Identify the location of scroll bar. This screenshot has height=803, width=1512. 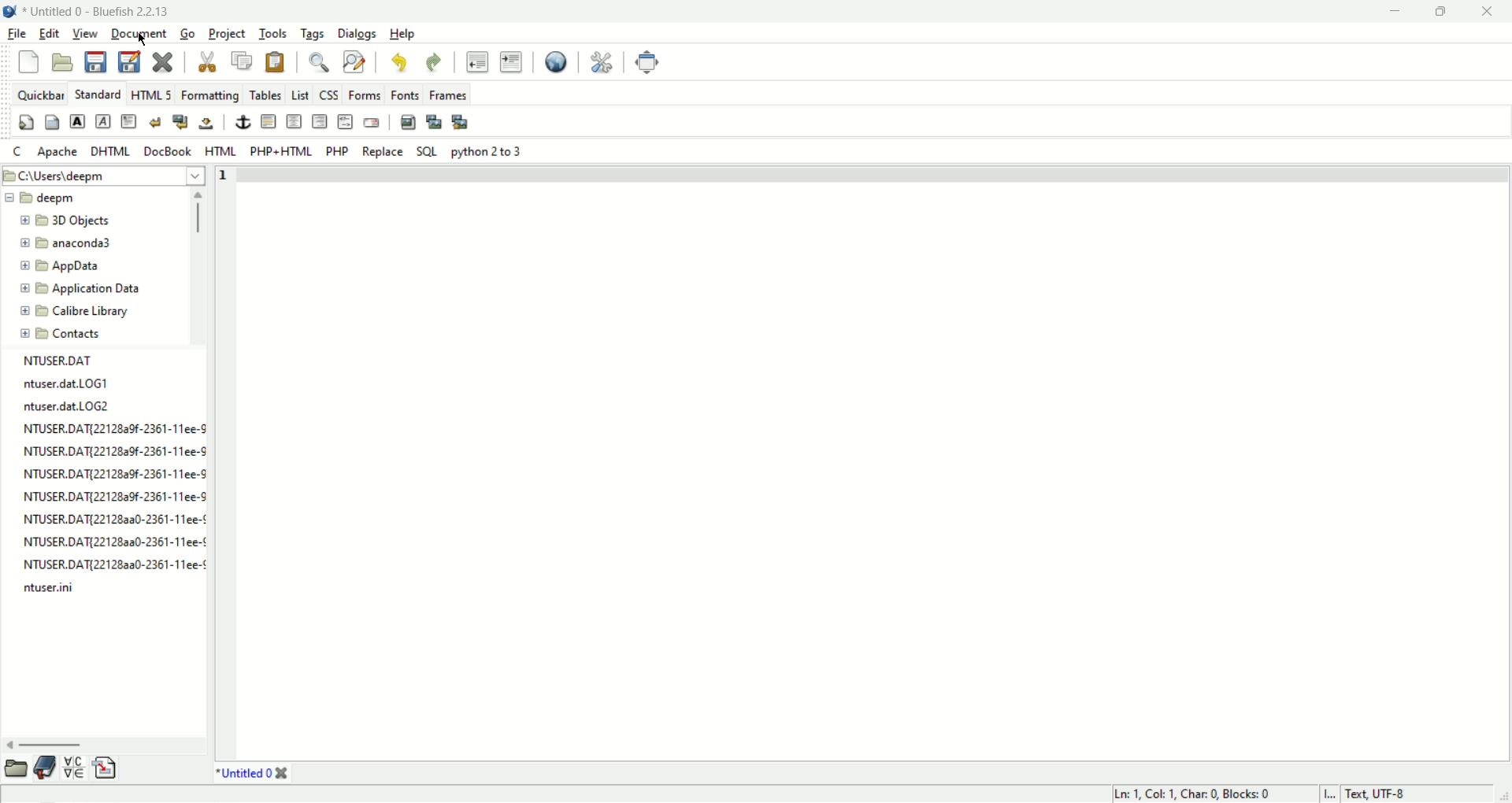
(96, 746).